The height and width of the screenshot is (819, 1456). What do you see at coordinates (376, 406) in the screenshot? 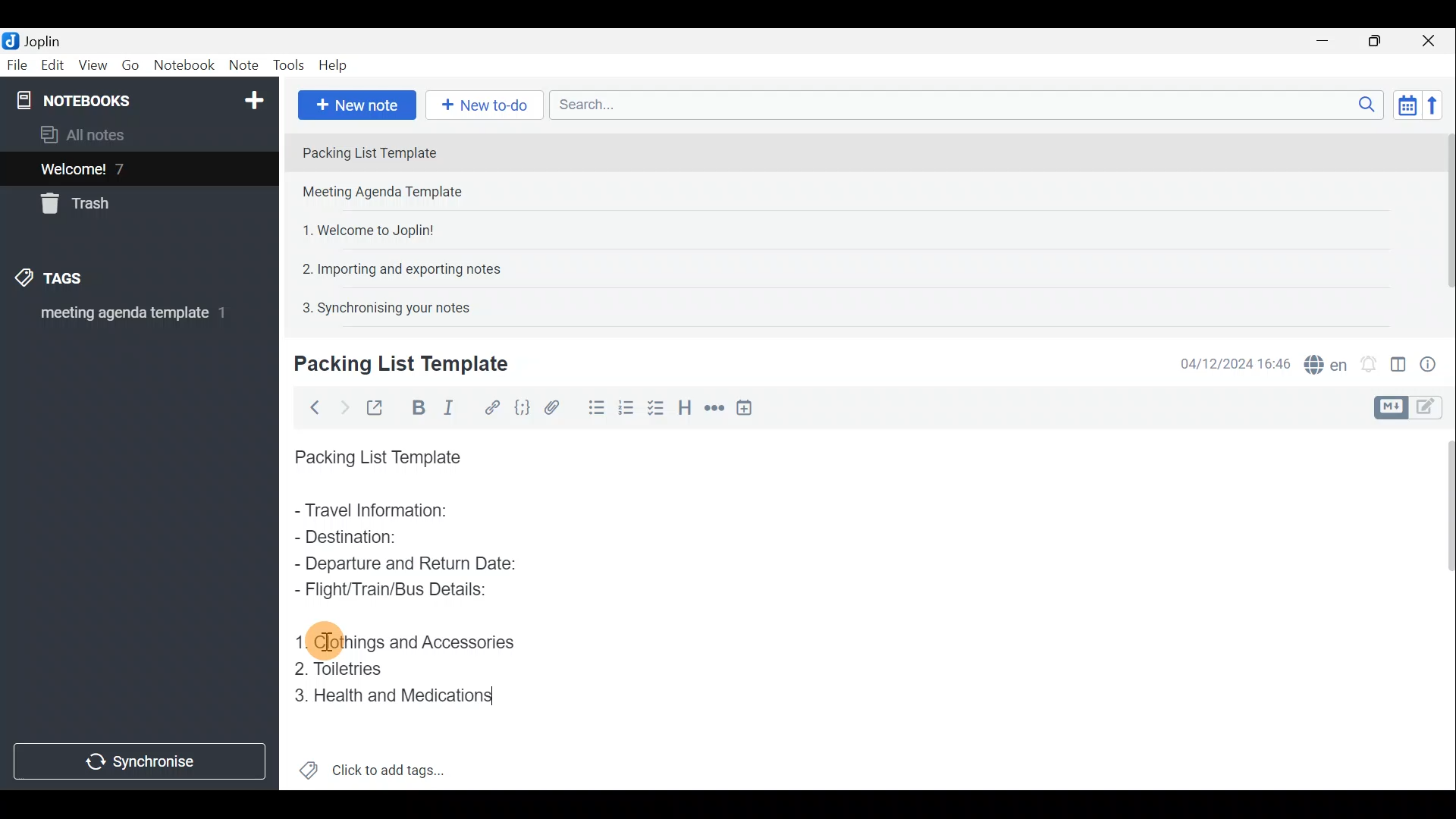
I see `Toggle external editing` at bounding box center [376, 406].